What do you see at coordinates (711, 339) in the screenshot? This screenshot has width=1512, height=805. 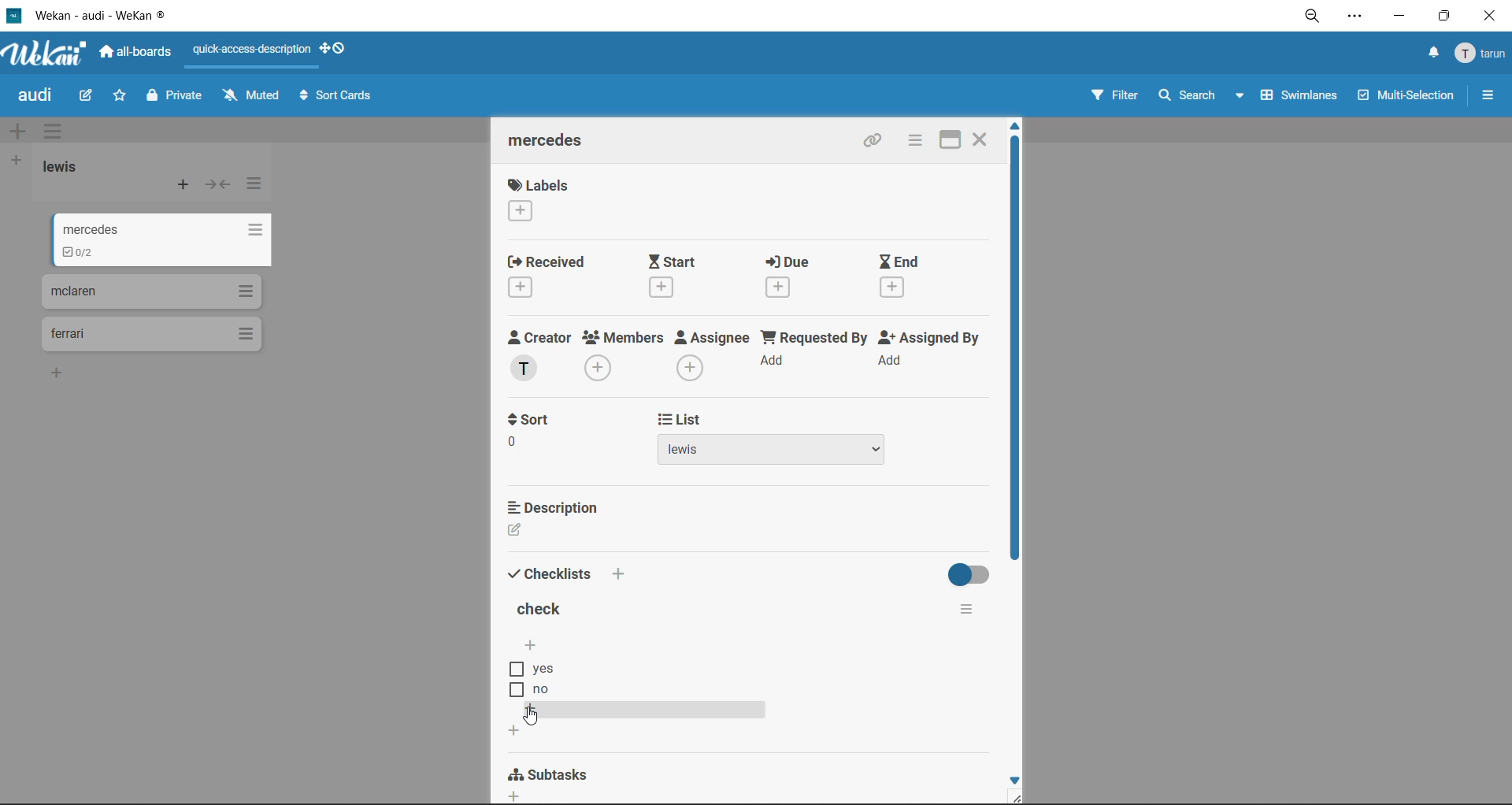 I see `assignee` at bounding box center [711, 339].